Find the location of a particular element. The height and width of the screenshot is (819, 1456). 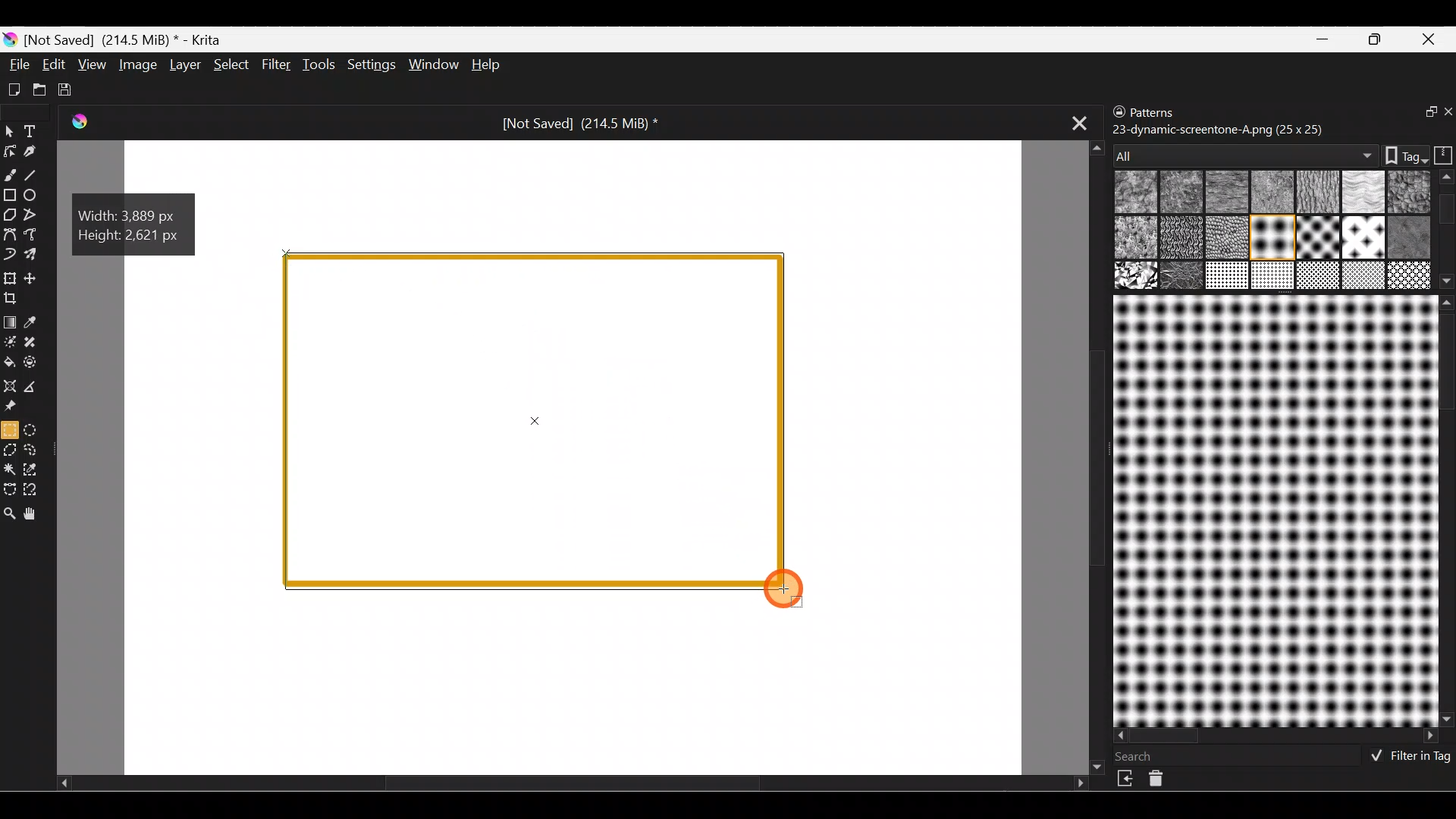

All patterns is located at coordinates (1241, 151).